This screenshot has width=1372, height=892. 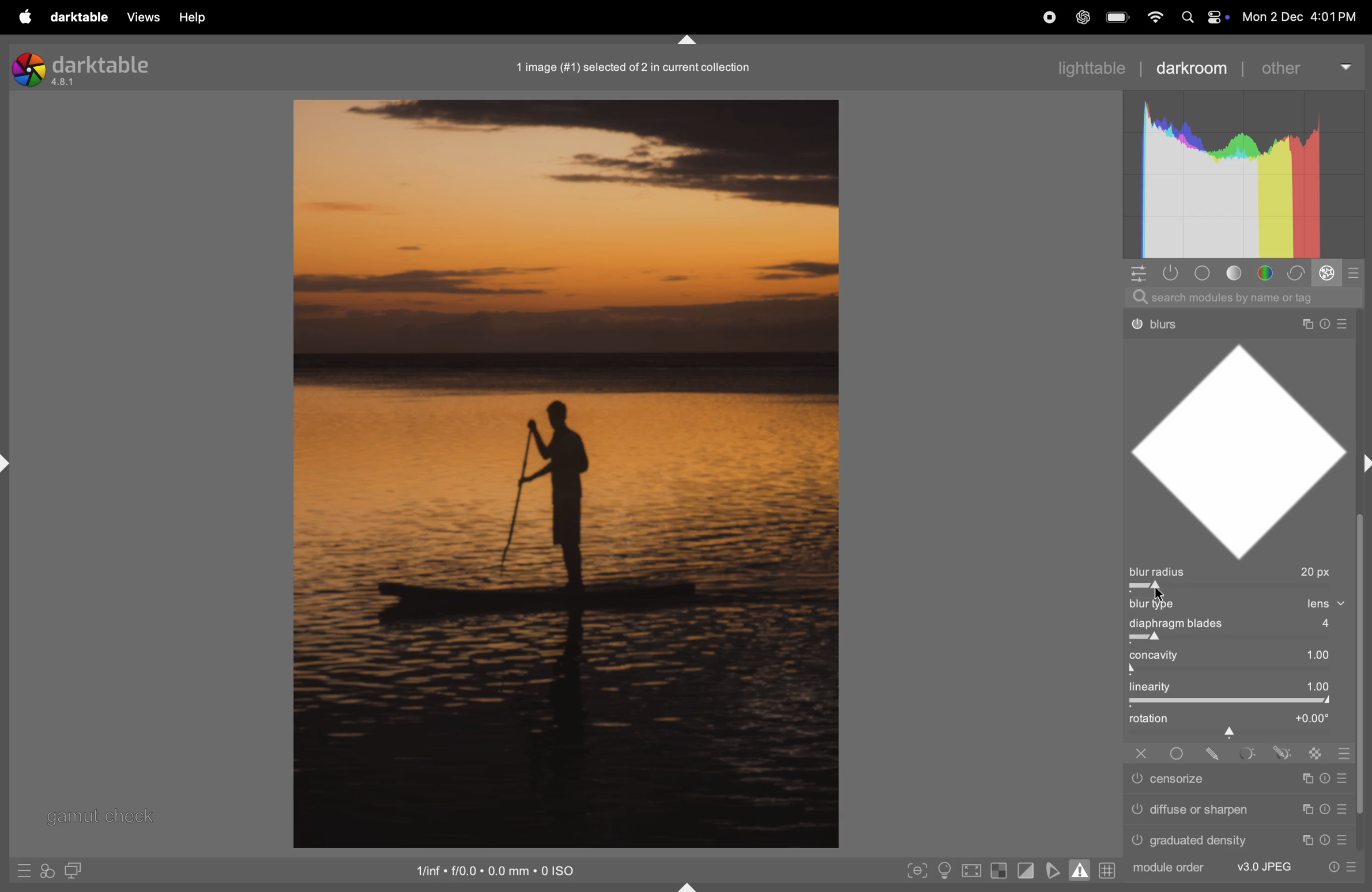 What do you see at coordinates (1234, 701) in the screenshot?
I see `togglee bar` at bounding box center [1234, 701].